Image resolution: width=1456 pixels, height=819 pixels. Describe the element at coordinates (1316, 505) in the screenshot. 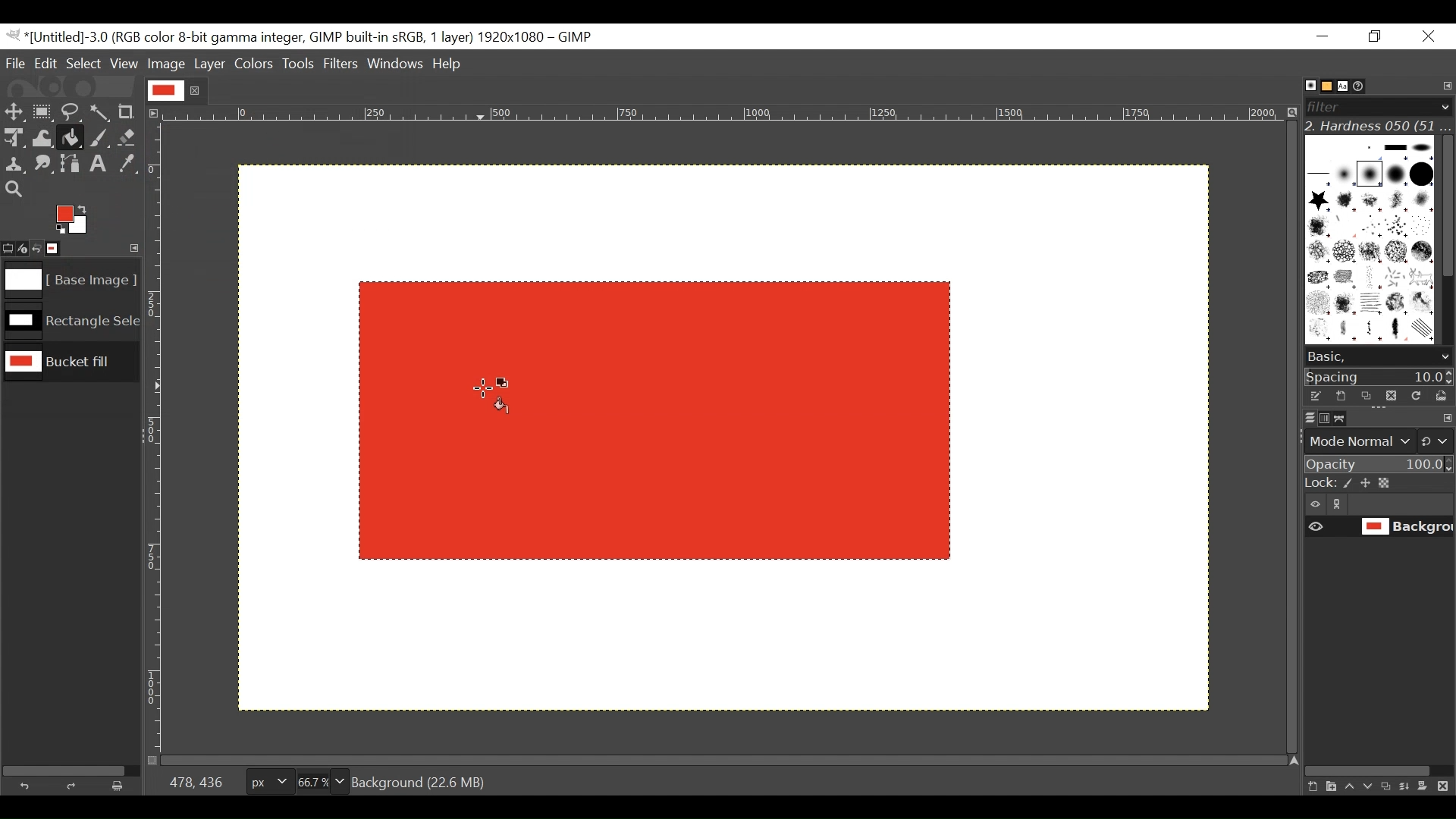

I see `Item visibility` at that location.